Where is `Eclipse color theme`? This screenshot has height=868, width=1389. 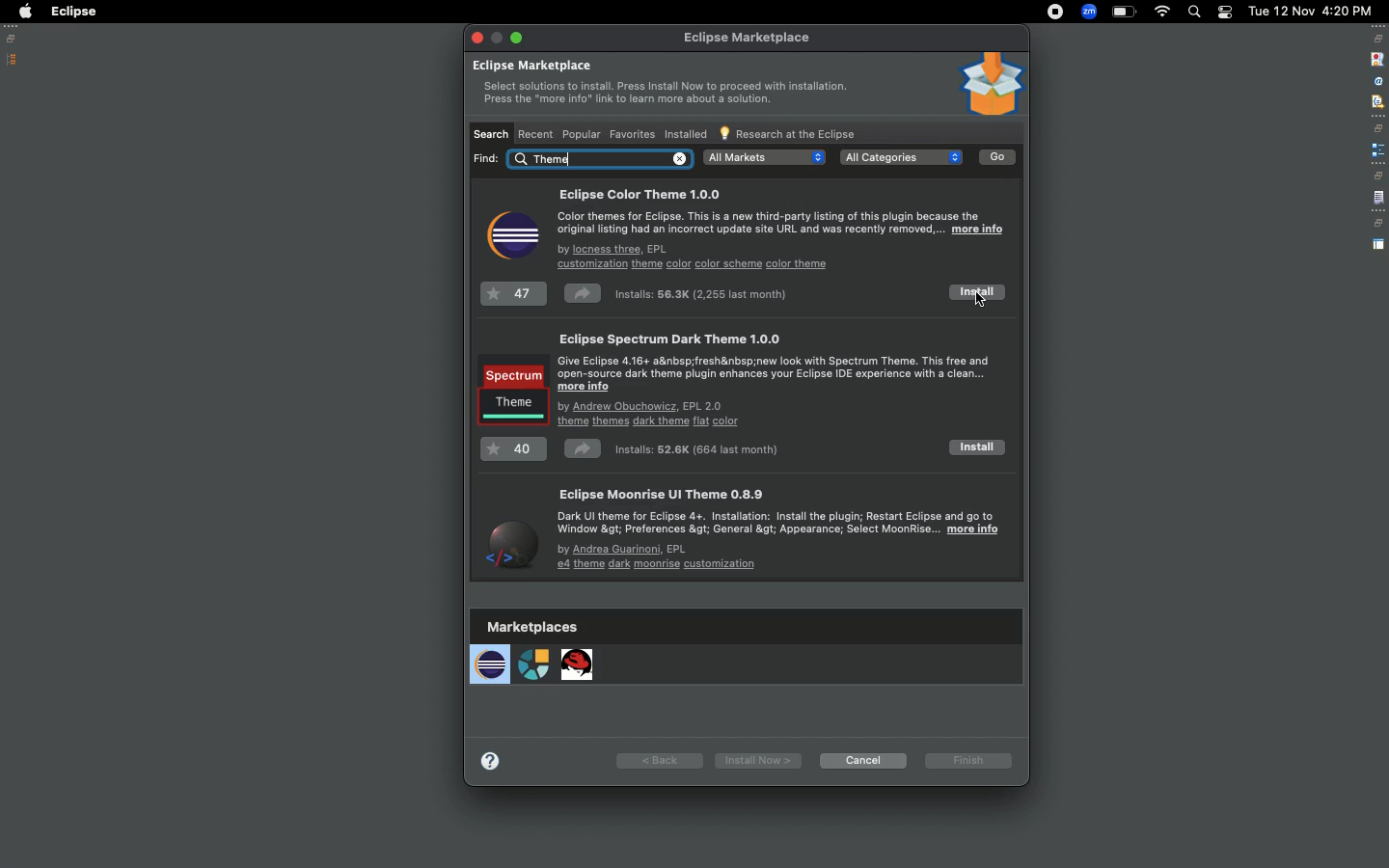
Eclipse color theme is located at coordinates (780, 230).